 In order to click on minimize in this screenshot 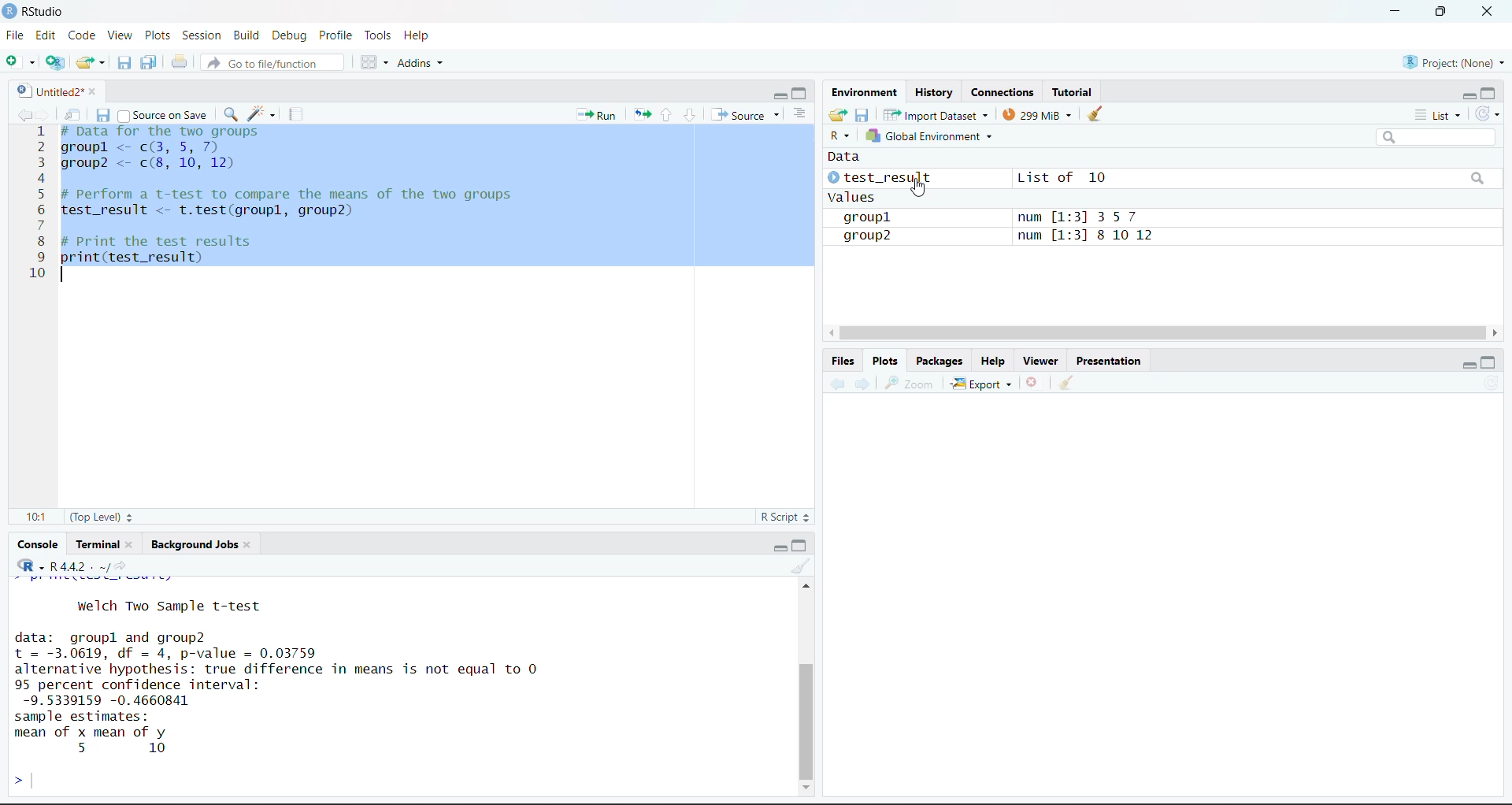, I will do `click(778, 95)`.